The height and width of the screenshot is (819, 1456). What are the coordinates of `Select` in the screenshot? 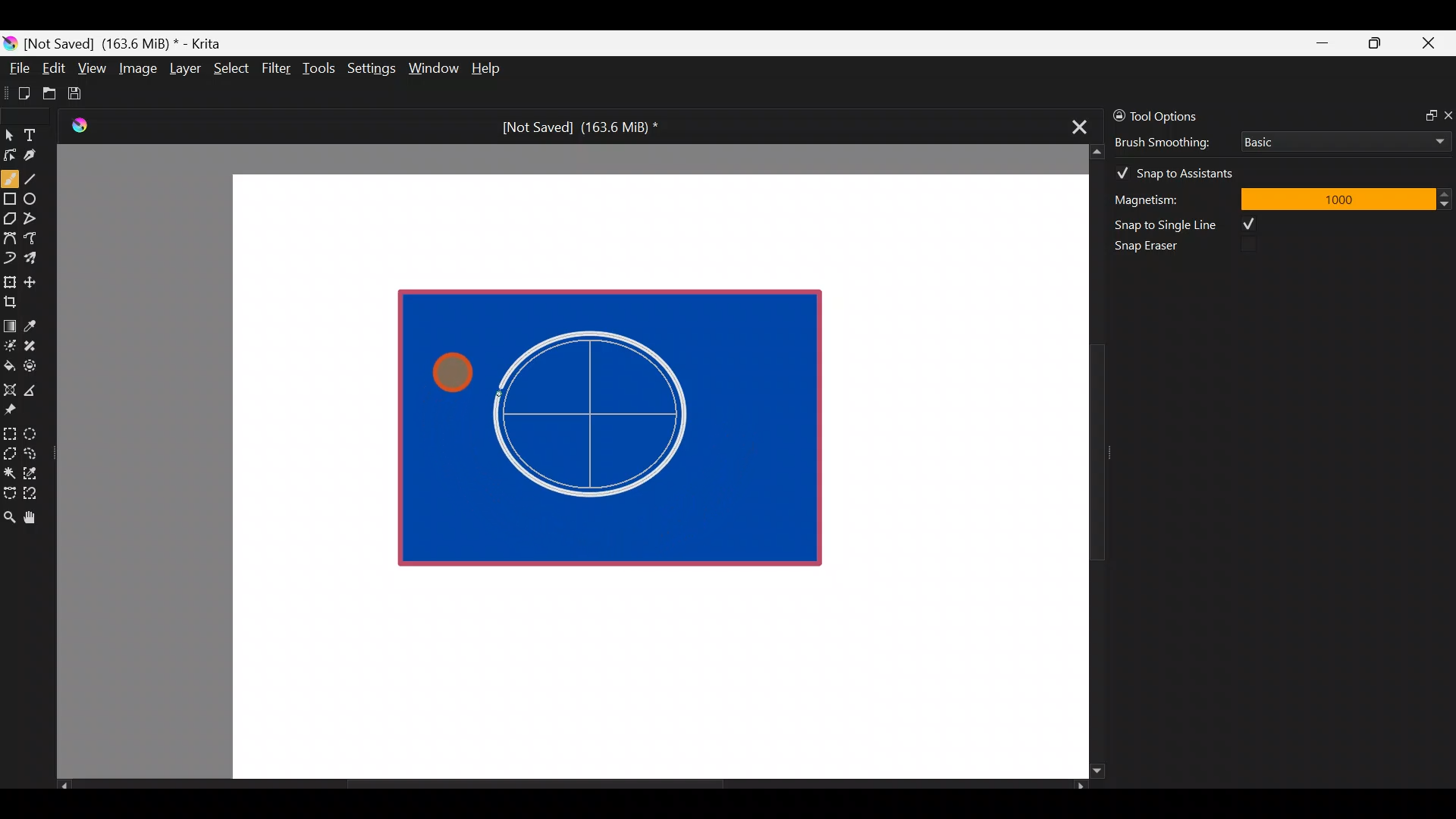 It's located at (232, 67).